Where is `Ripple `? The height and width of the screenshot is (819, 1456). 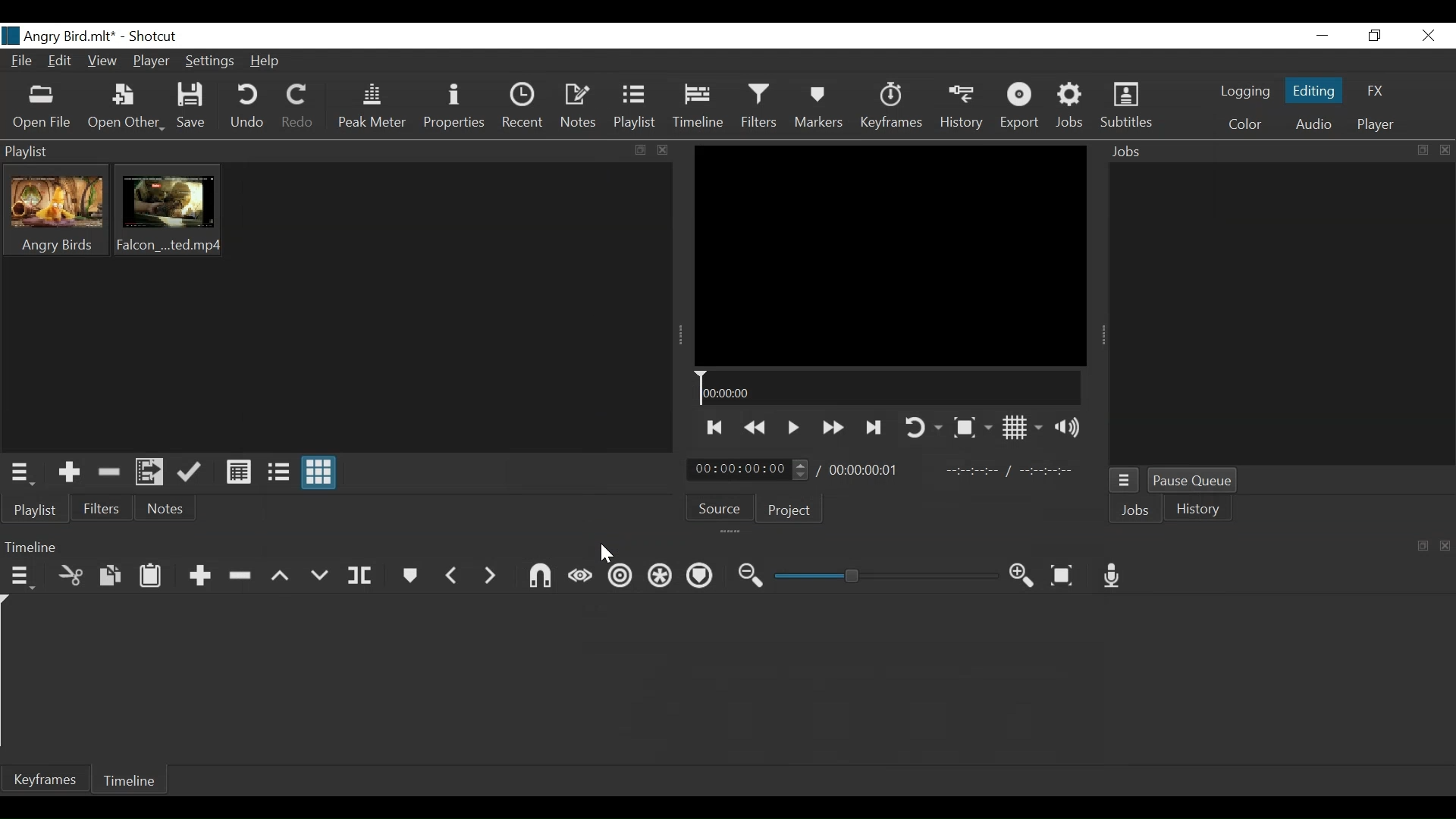
Ripple  is located at coordinates (620, 576).